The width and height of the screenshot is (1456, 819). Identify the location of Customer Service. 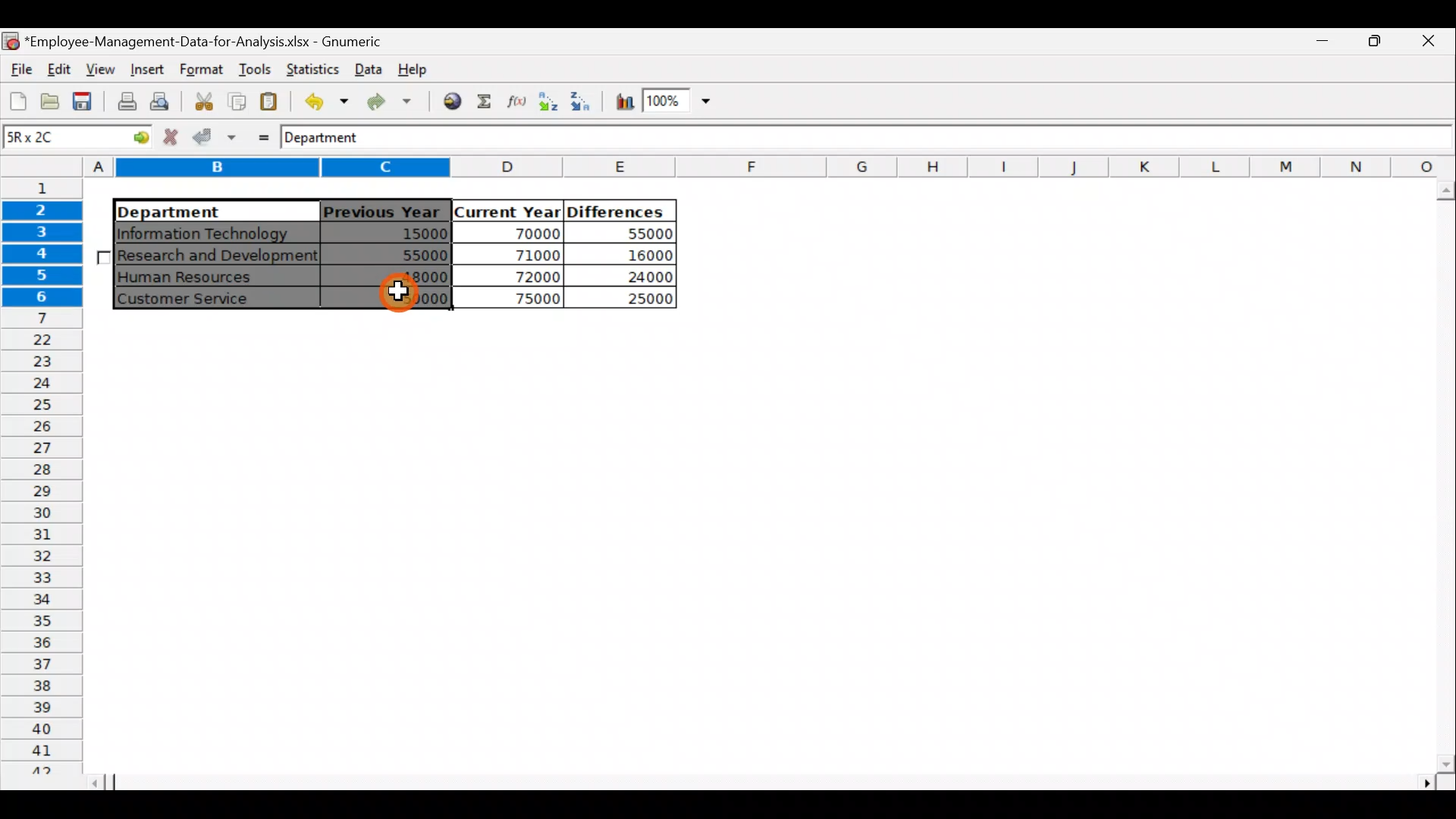
(201, 299).